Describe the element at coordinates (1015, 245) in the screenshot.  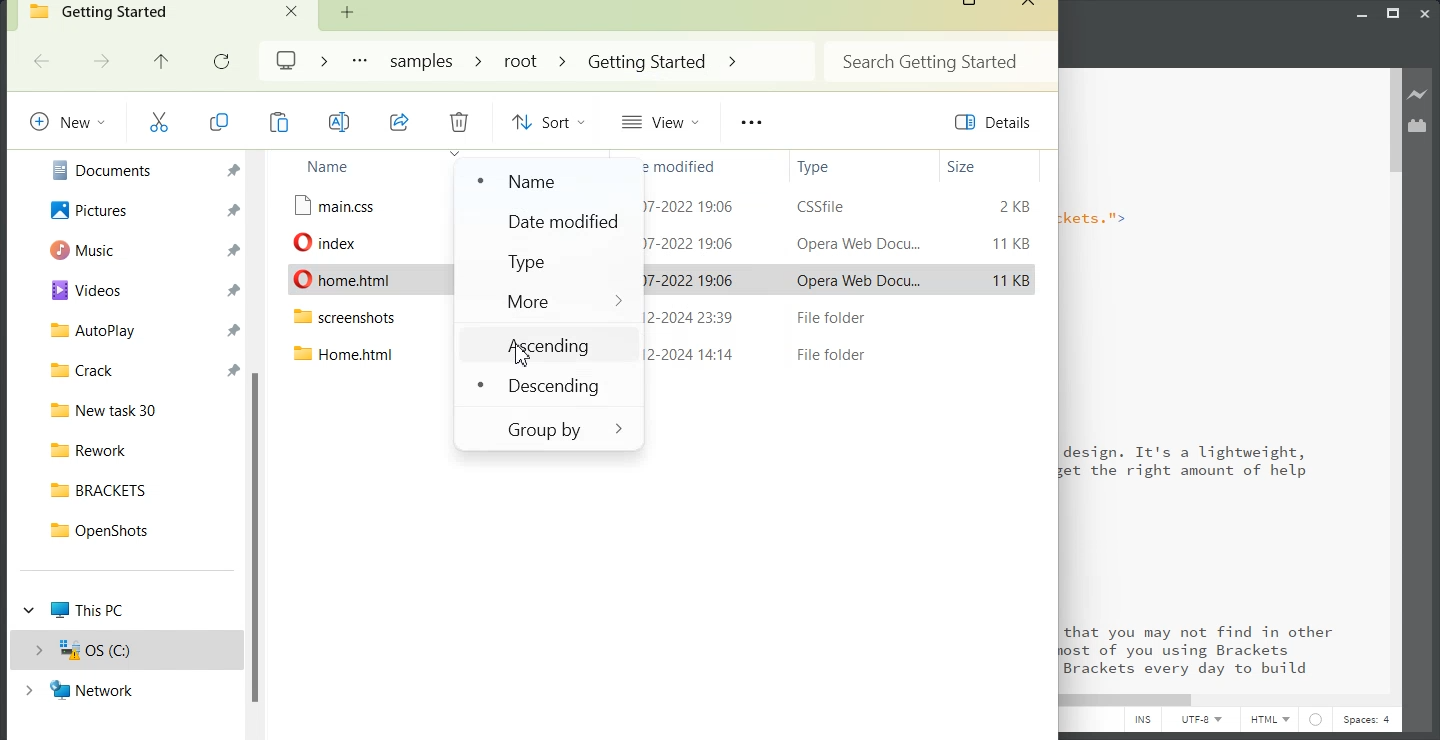
I see `11 KB` at that location.